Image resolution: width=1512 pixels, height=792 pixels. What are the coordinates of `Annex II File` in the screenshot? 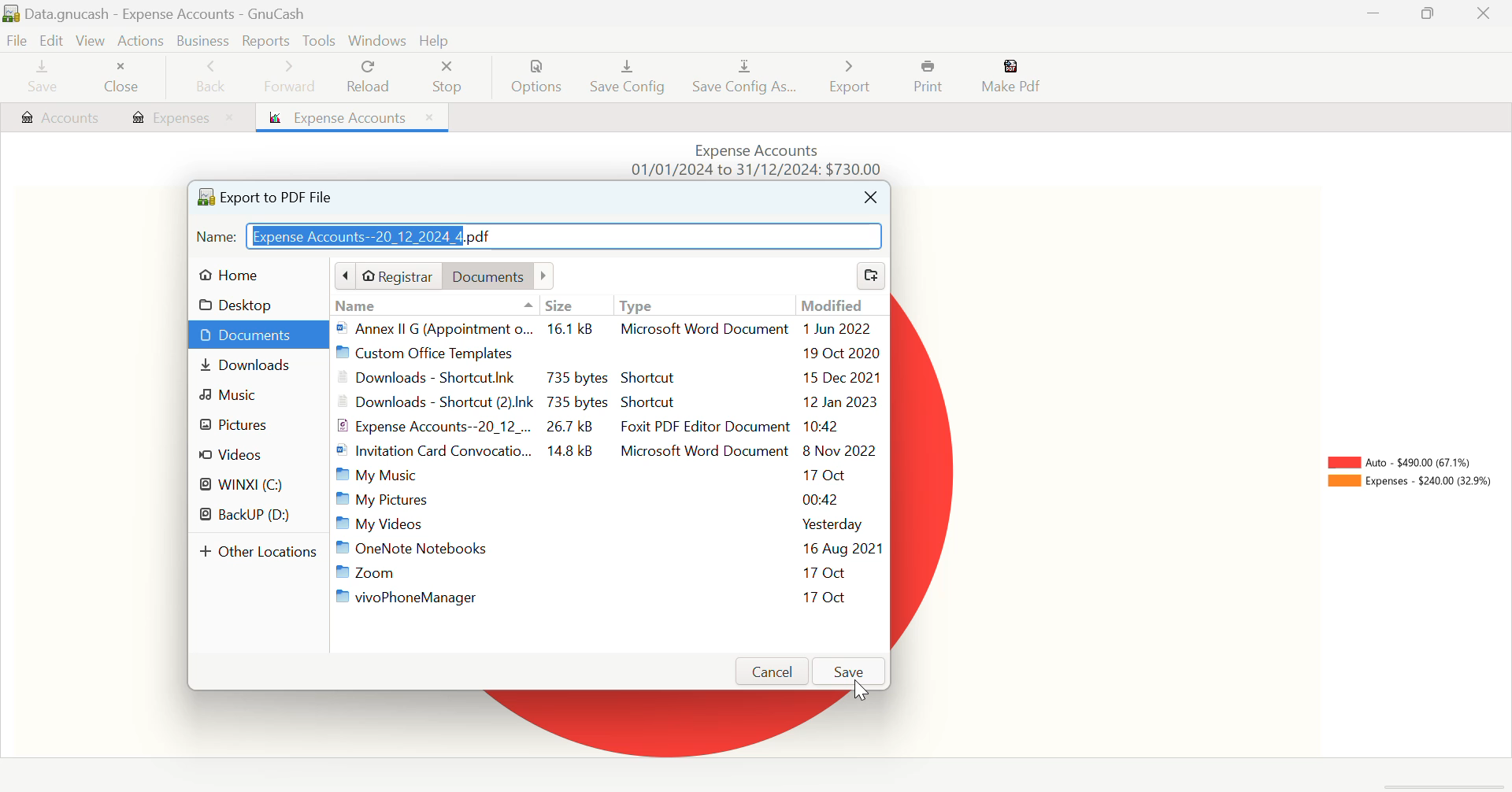 It's located at (606, 329).